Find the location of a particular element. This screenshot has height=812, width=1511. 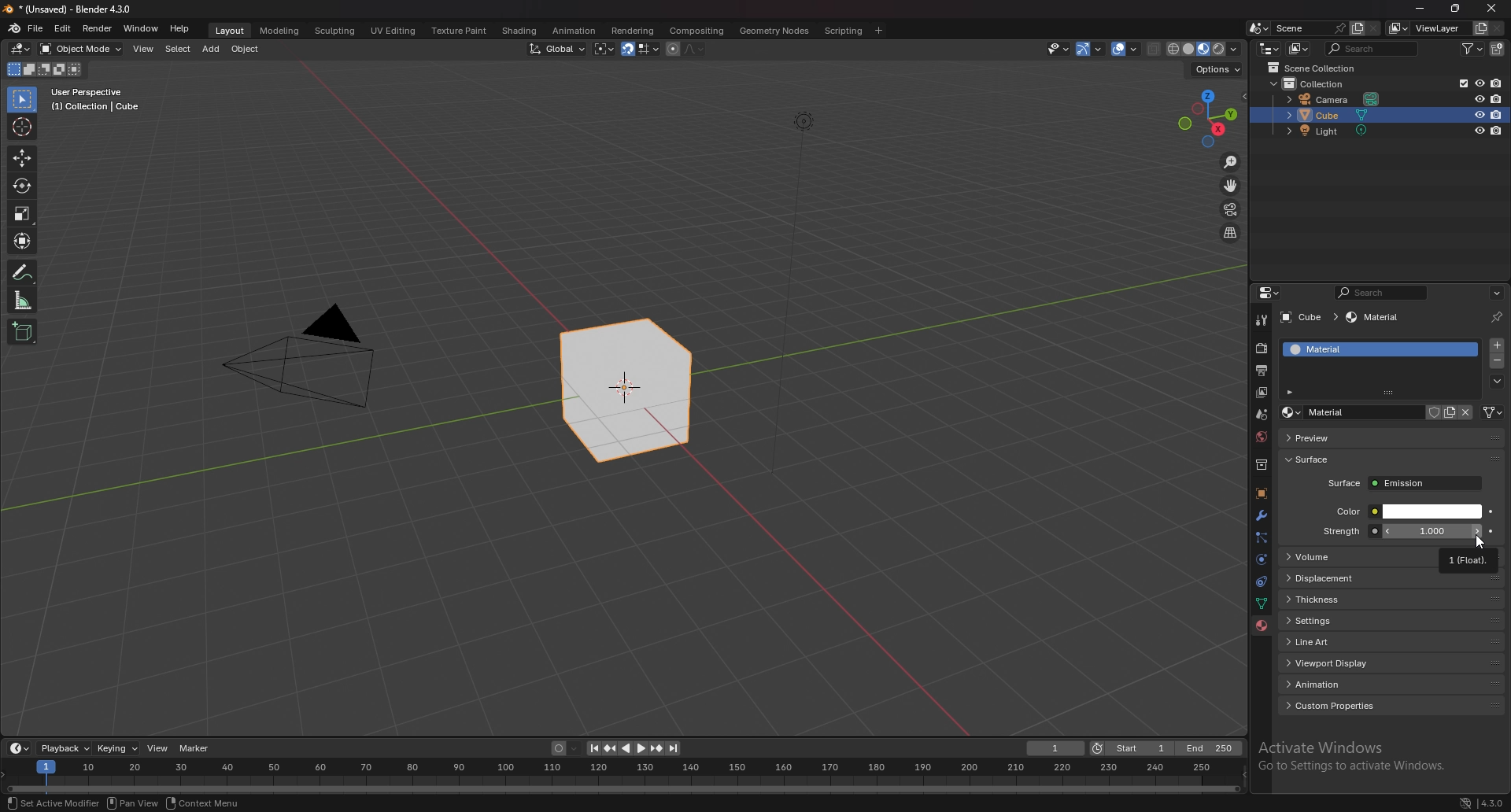

render is located at coordinates (1263, 348).